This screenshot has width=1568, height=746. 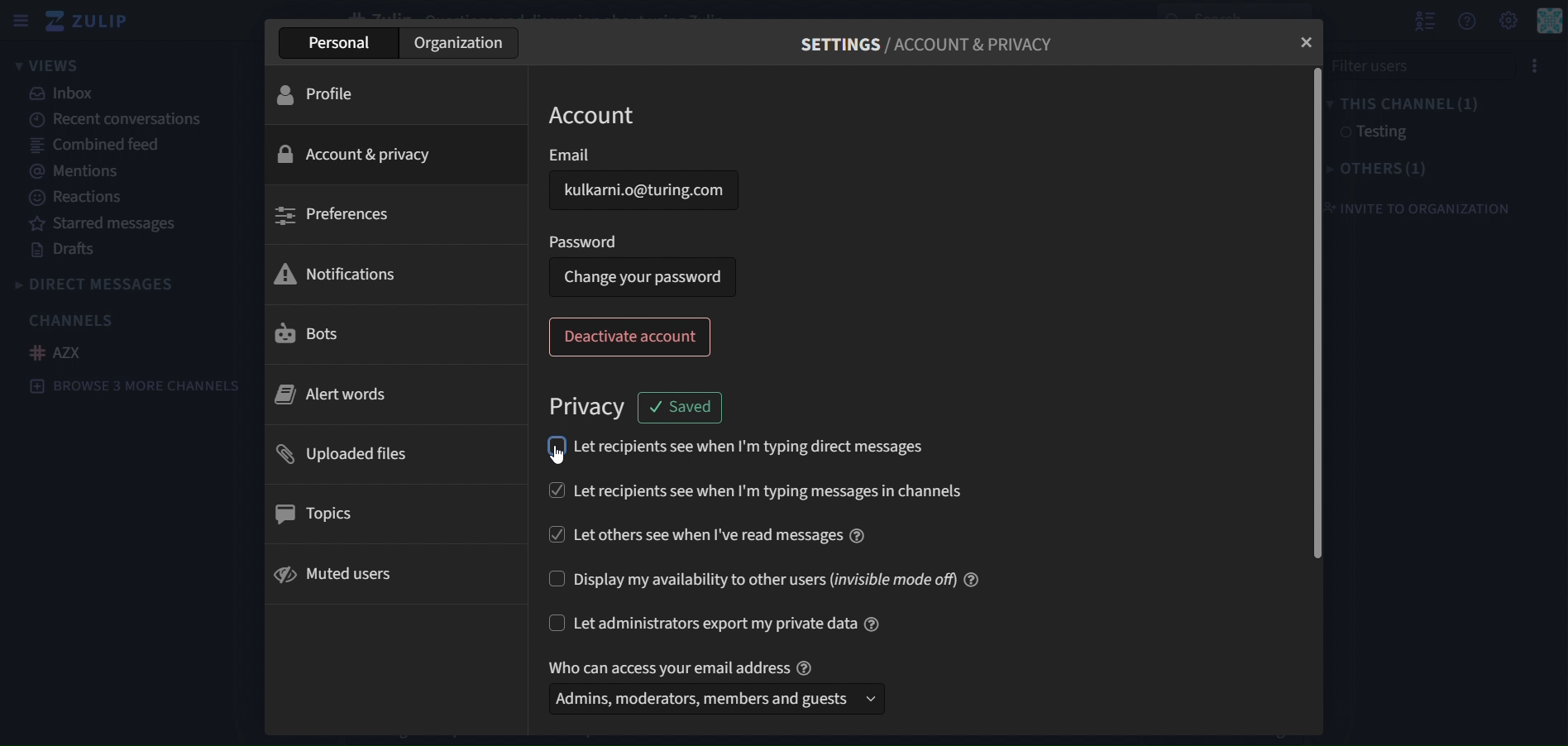 What do you see at coordinates (20, 18) in the screenshot?
I see `sidebar` at bounding box center [20, 18].